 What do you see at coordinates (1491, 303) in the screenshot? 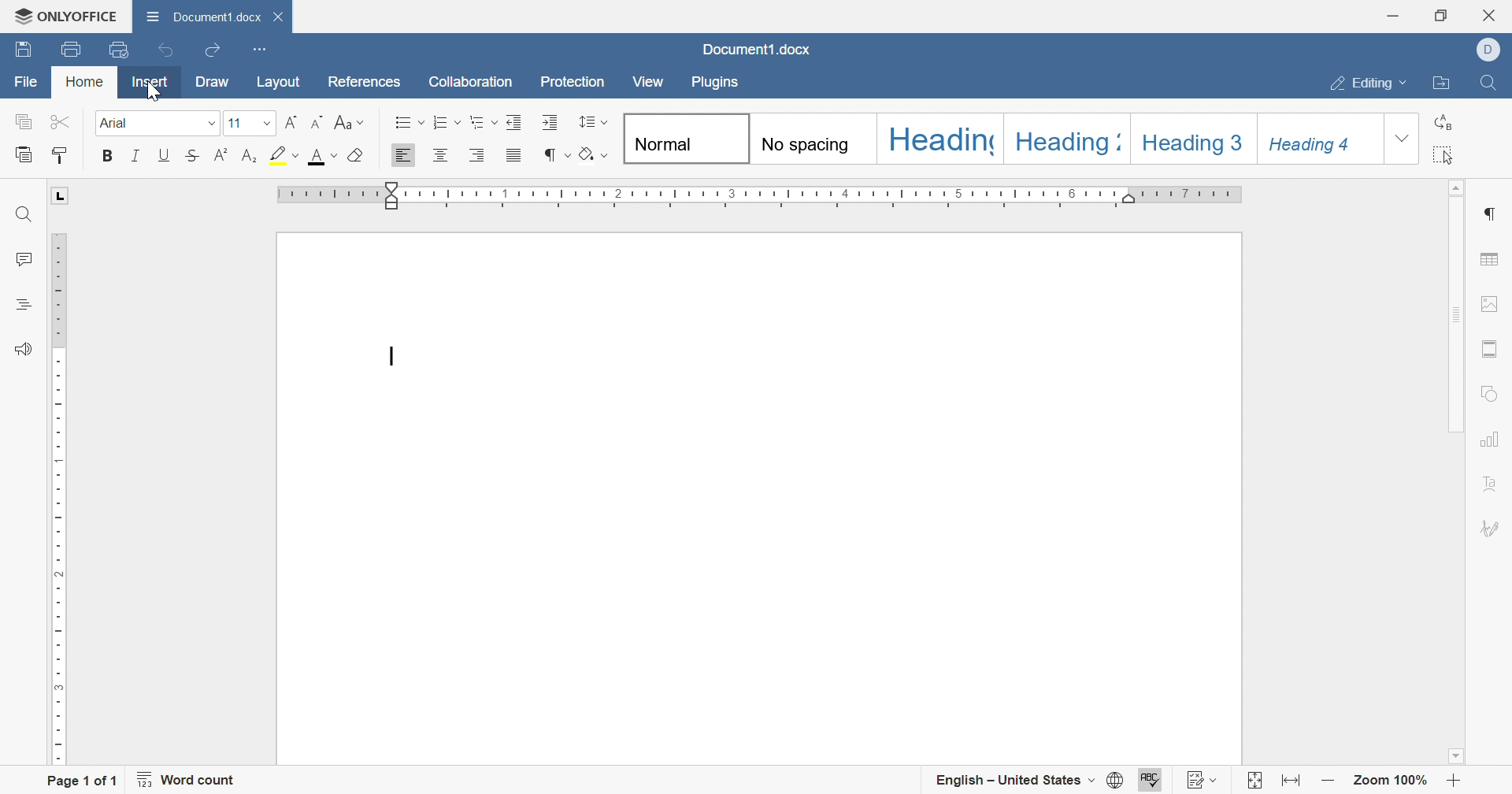
I see `Image settings` at bounding box center [1491, 303].